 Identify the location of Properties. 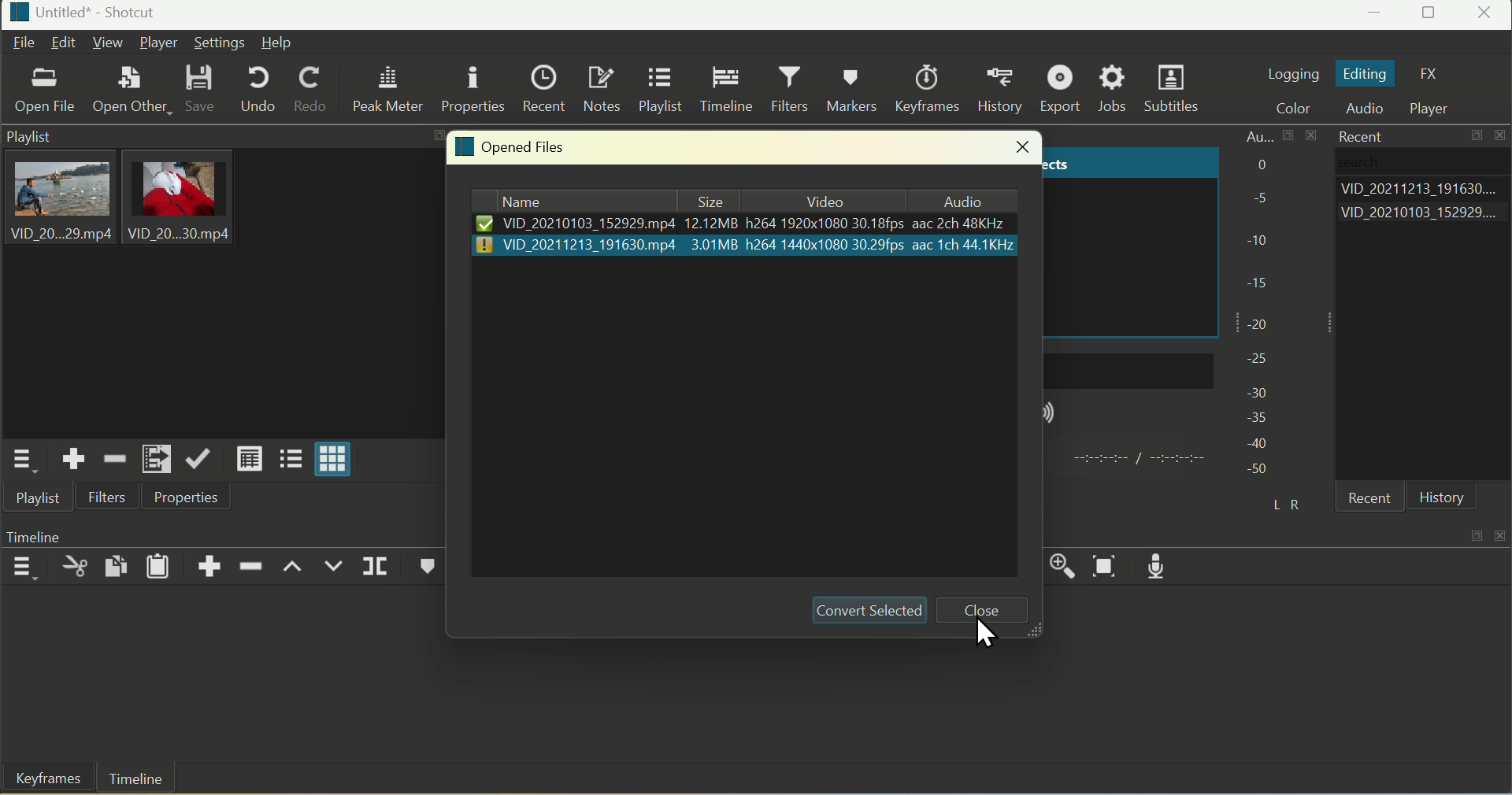
(472, 87).